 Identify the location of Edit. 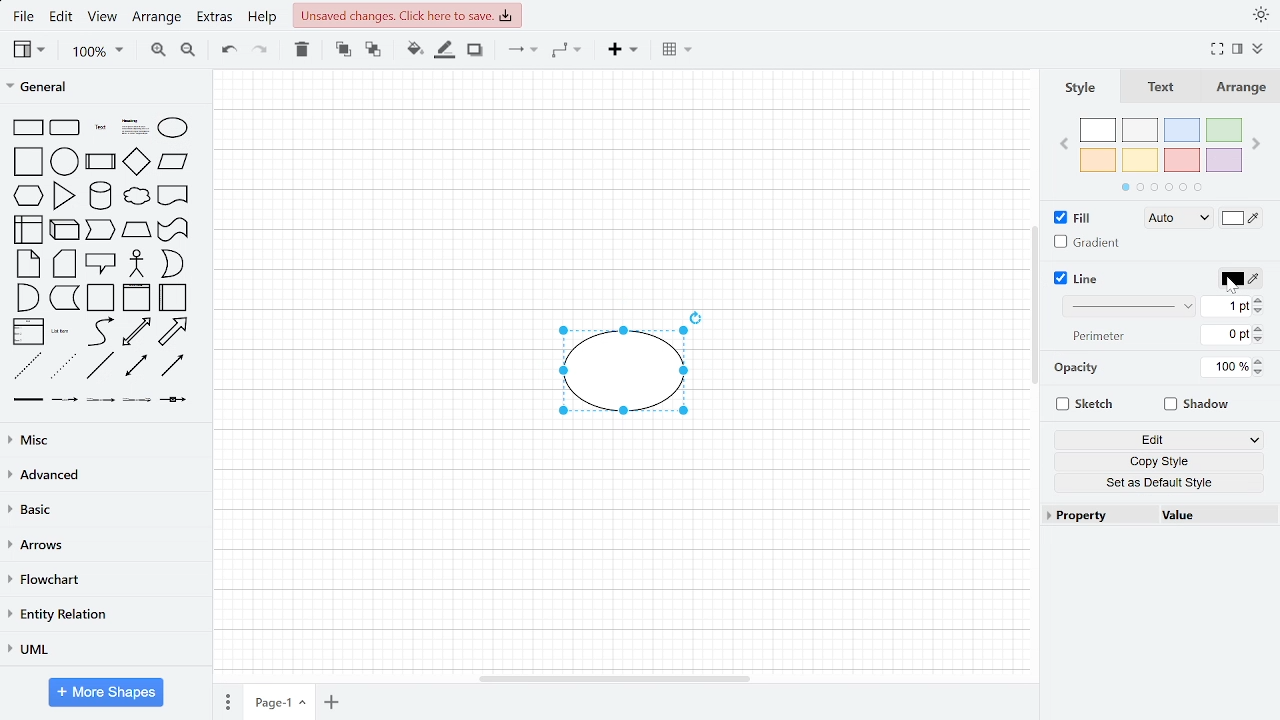
(1162, 441).